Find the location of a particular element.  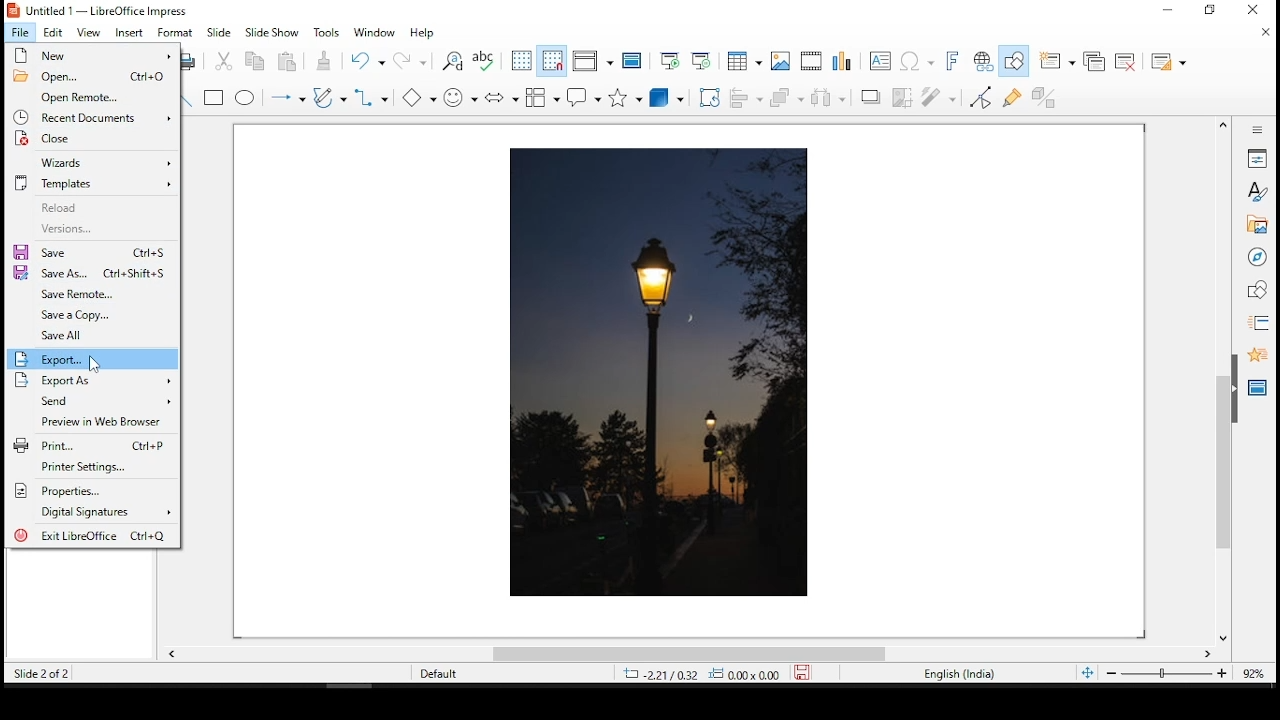

zoom is located at coordinates (1181, 673).